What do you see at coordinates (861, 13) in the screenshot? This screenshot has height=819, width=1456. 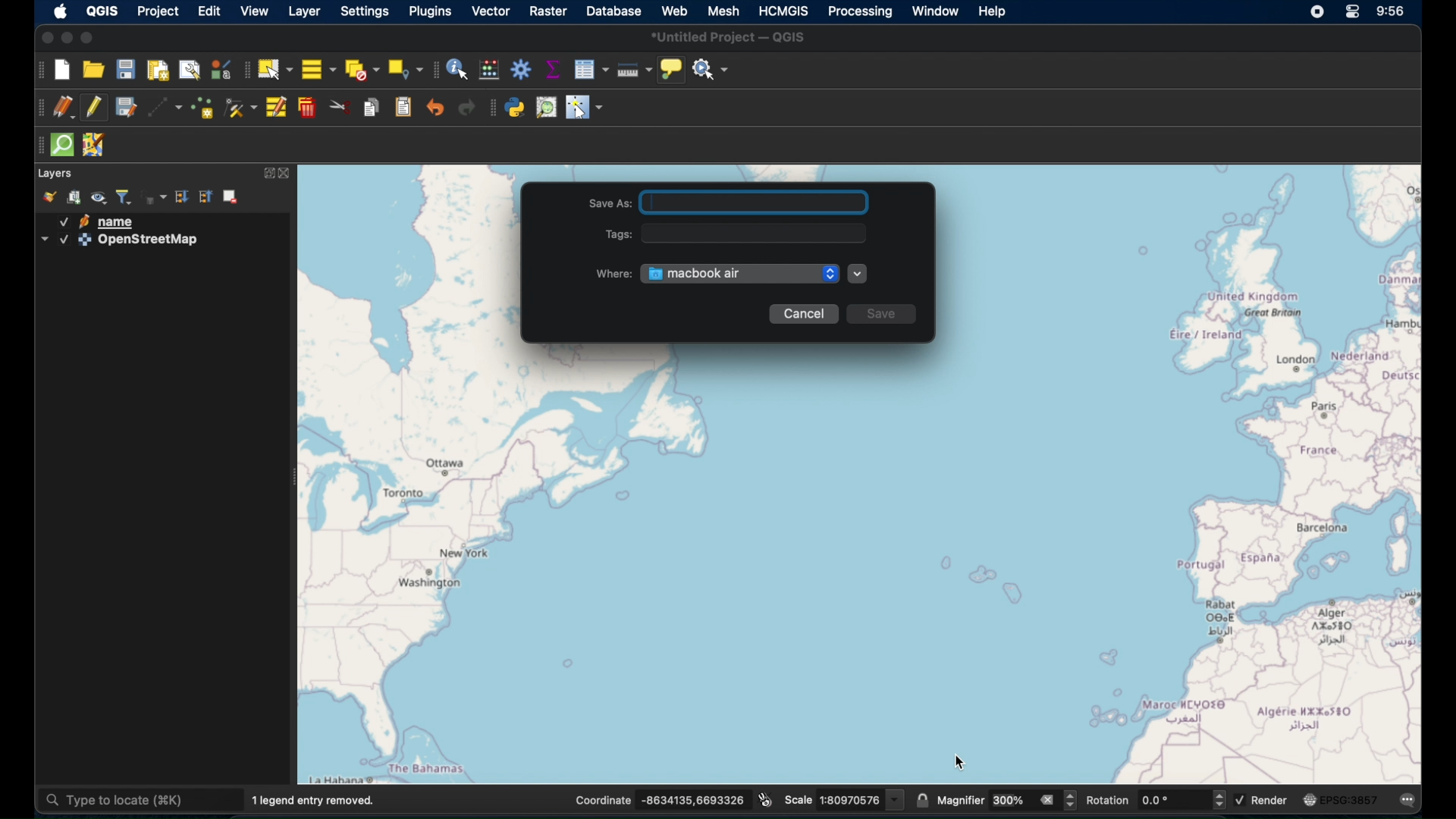 I see `processing` at bounding box center [861, 13].